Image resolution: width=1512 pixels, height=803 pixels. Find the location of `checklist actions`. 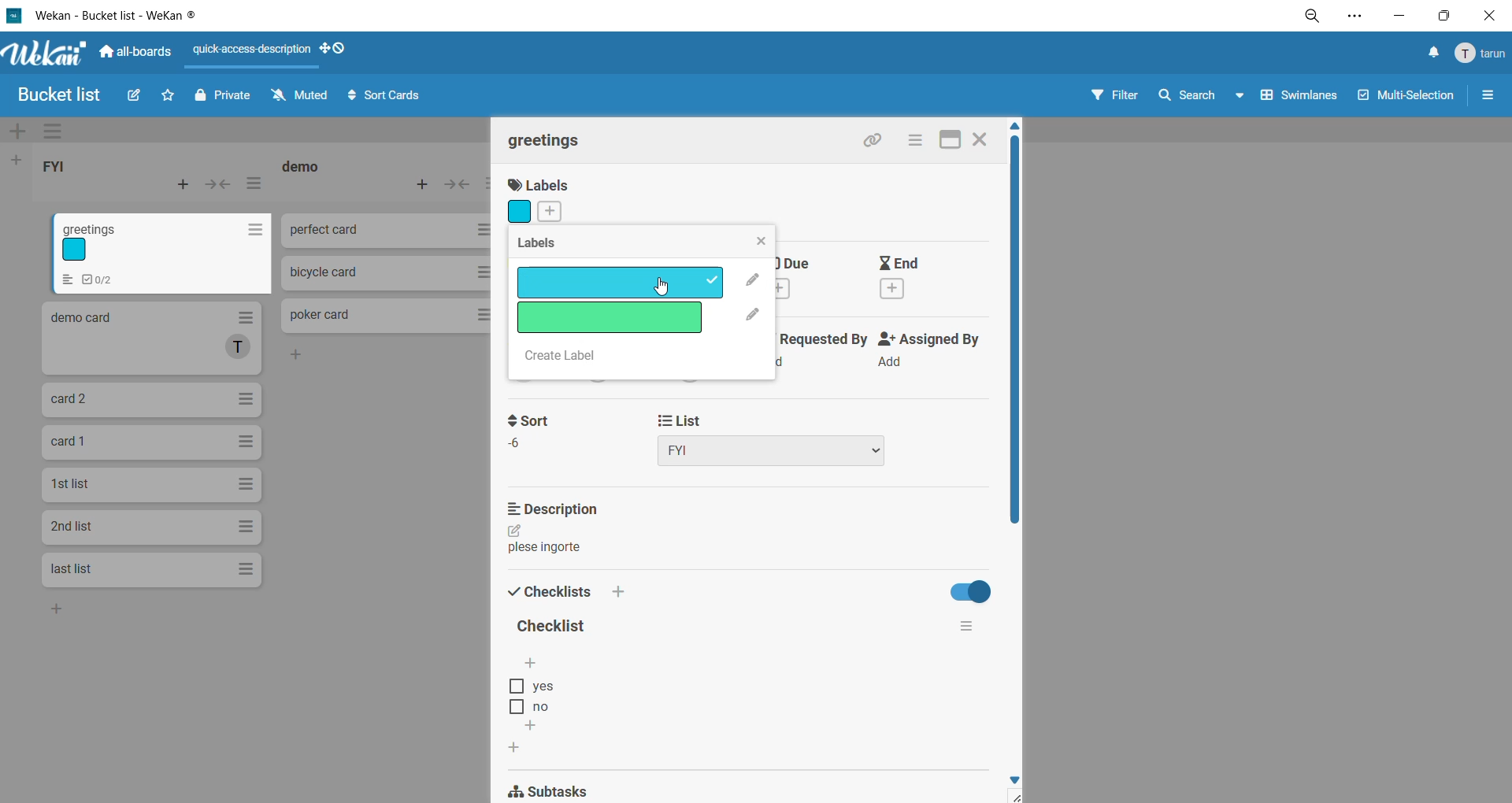

checklist actions is located at coordinates (967, 627).